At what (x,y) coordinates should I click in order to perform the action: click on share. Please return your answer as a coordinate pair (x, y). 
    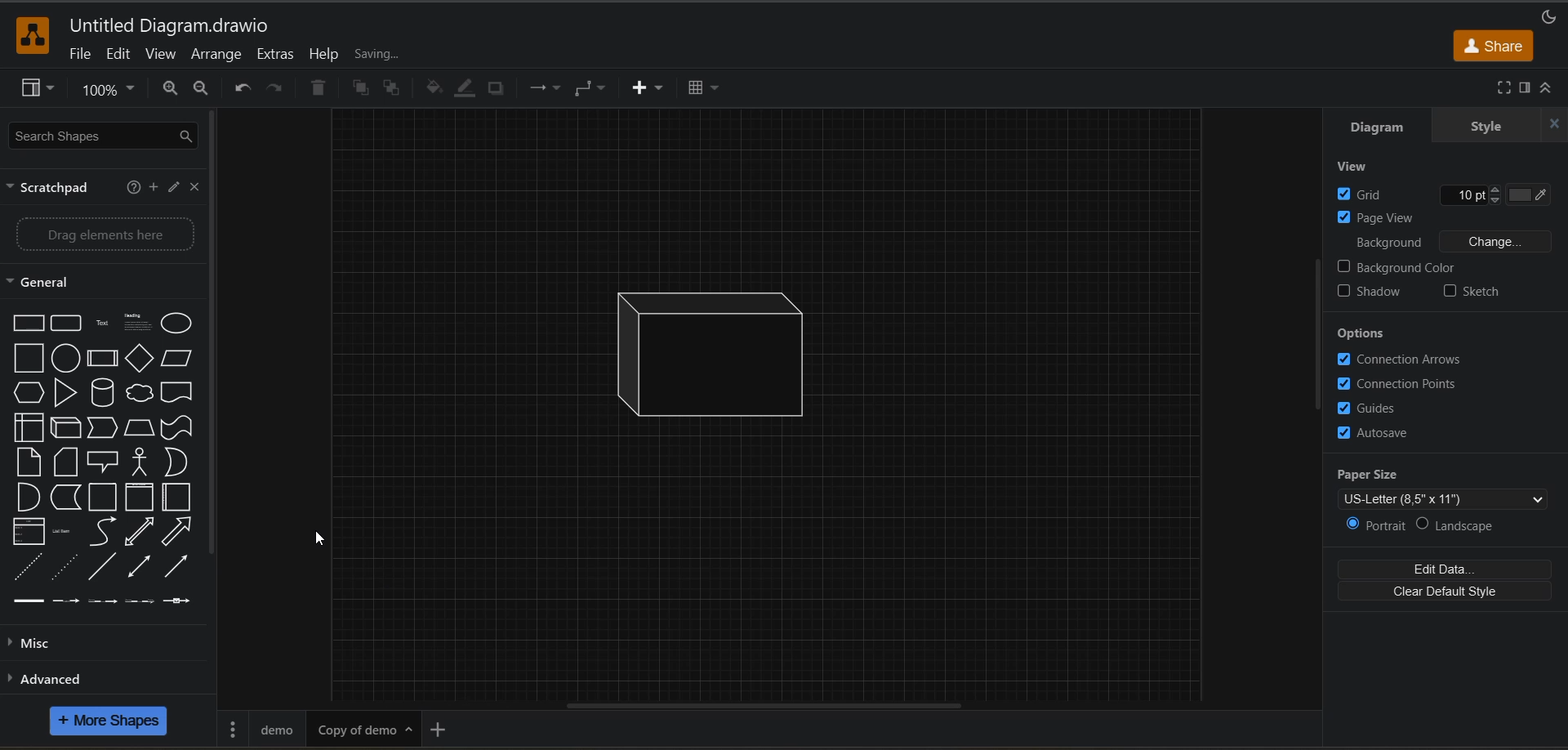
    Looking at the image, I should click on (1497, 47).